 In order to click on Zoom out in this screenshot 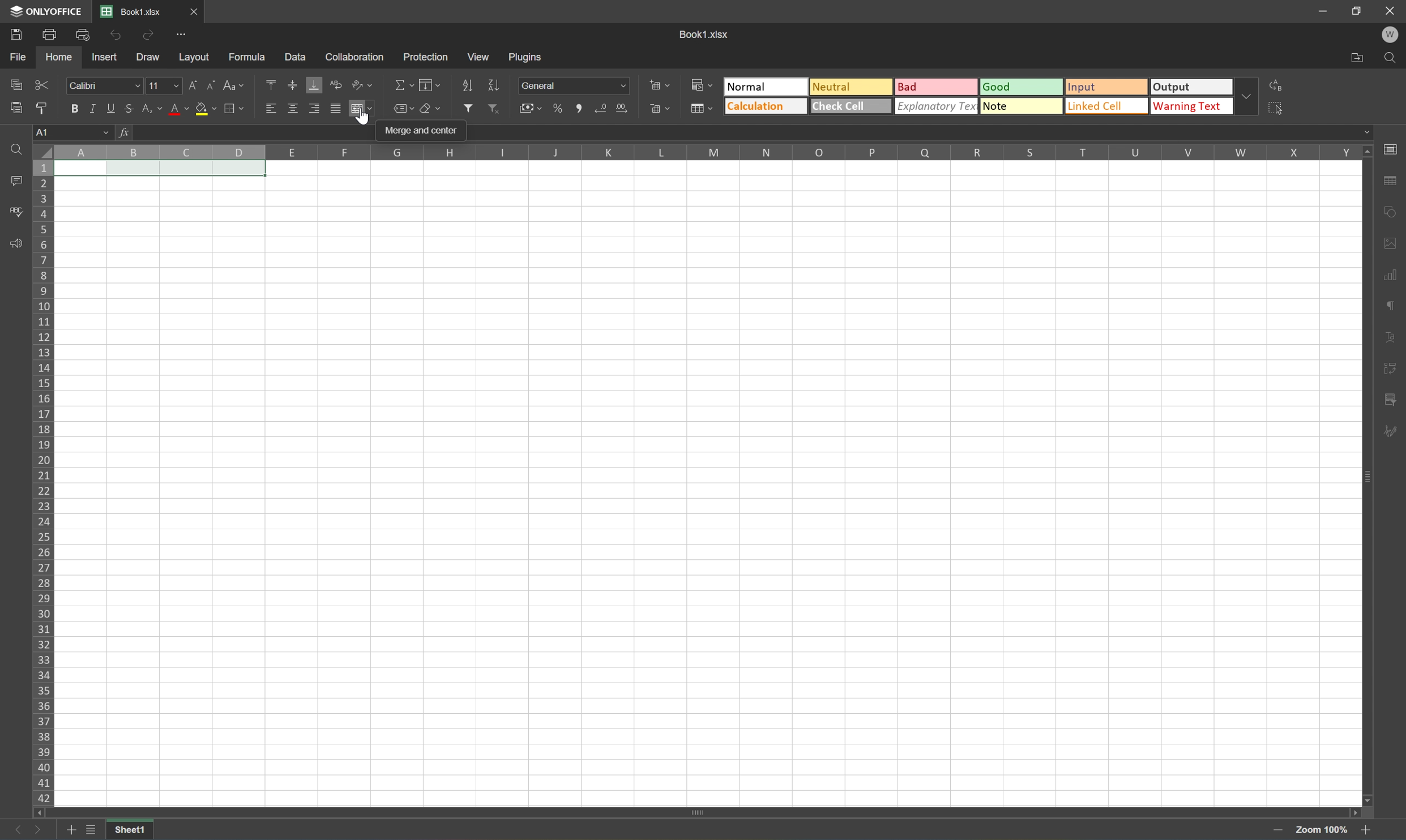, I will do `click(1361, 832)`.